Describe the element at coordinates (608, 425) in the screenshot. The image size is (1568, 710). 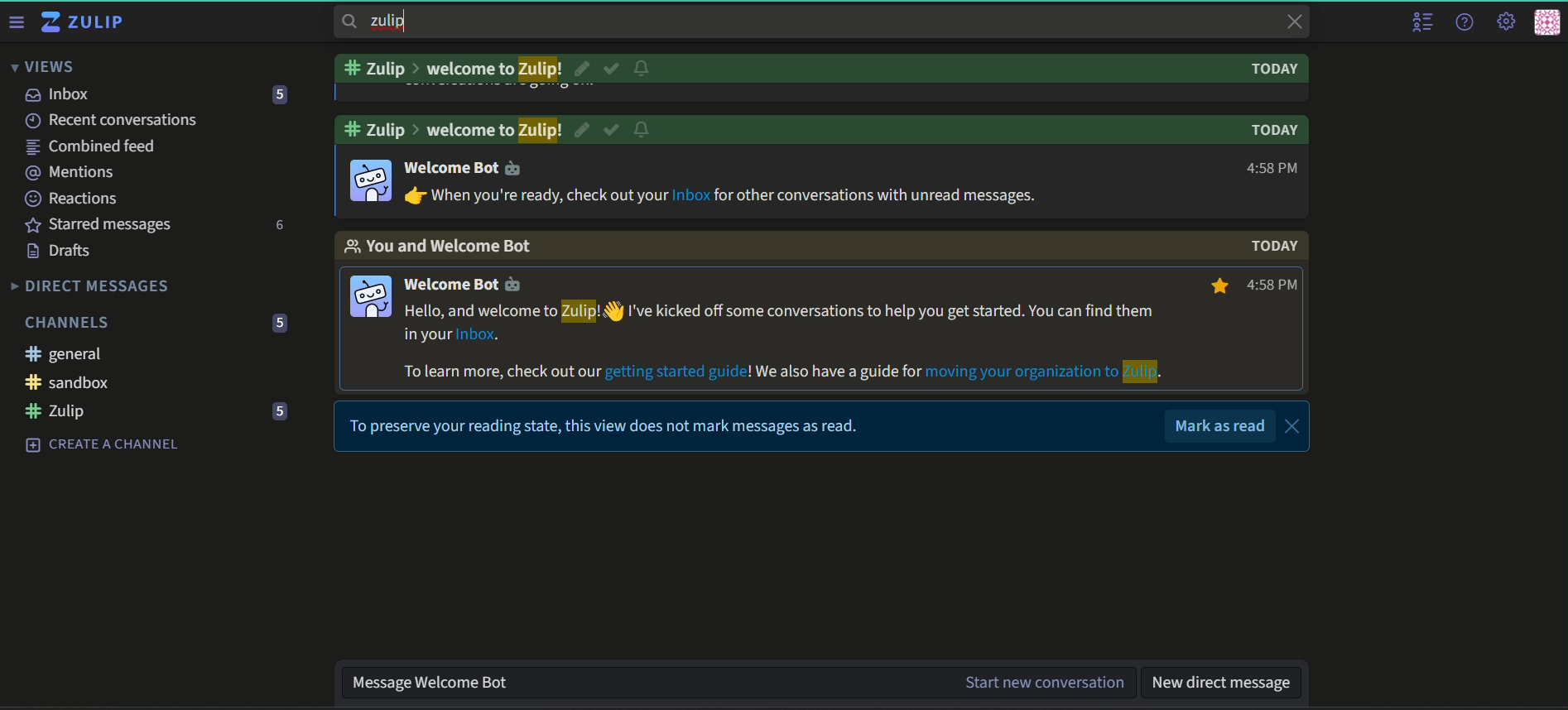
I see `text` at that location.